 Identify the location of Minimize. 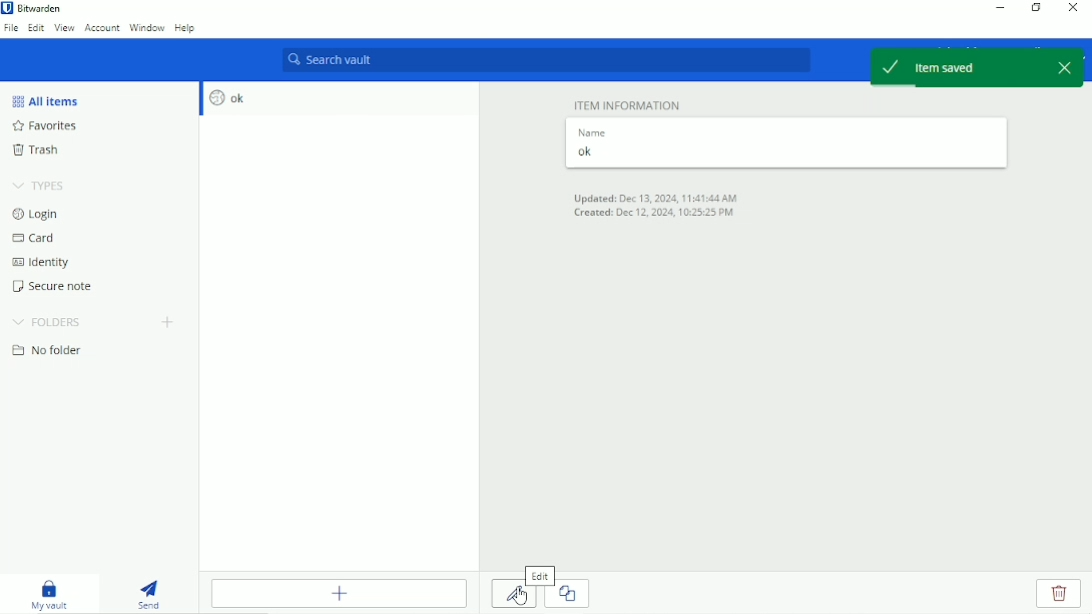
(1000, 8).